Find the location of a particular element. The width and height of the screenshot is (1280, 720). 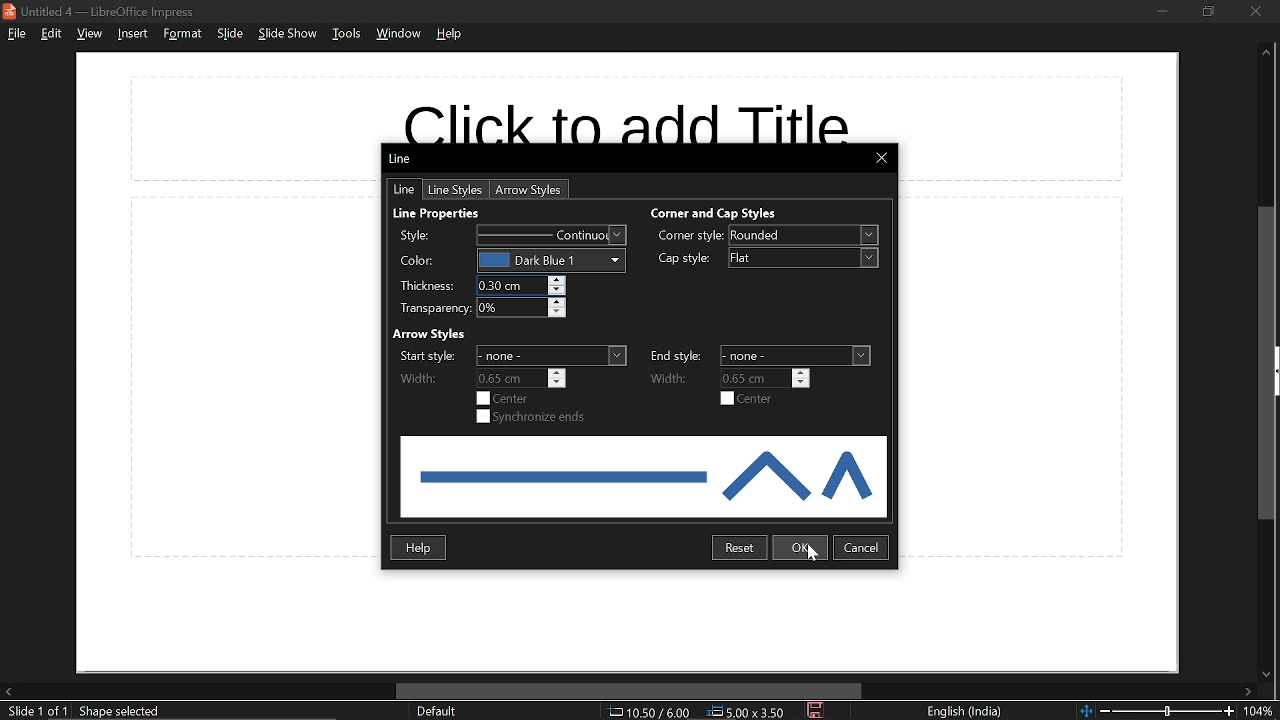

thickness is located at coordinates (520, 286).